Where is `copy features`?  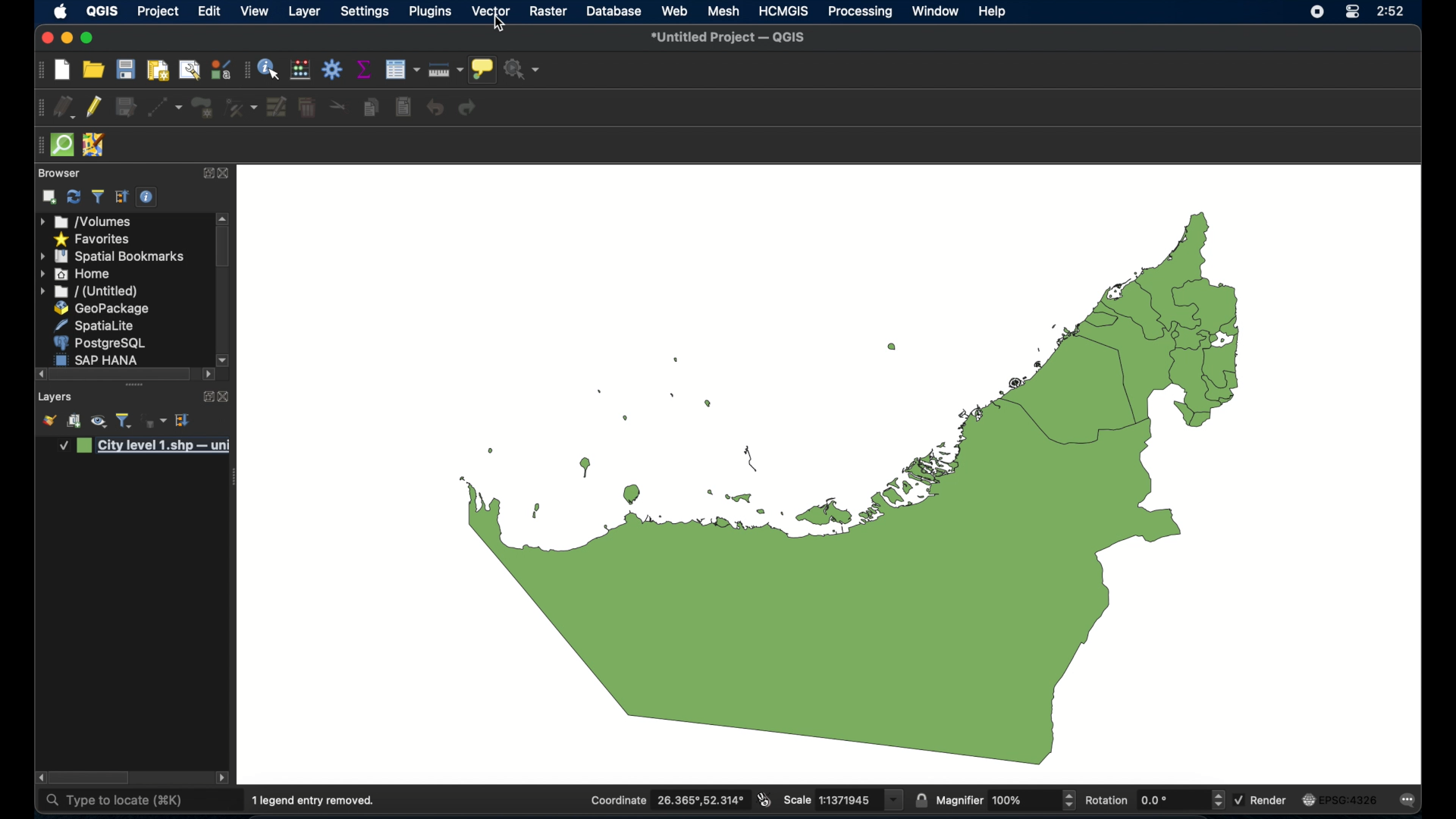
copy features is located at coordinates (371, 107).